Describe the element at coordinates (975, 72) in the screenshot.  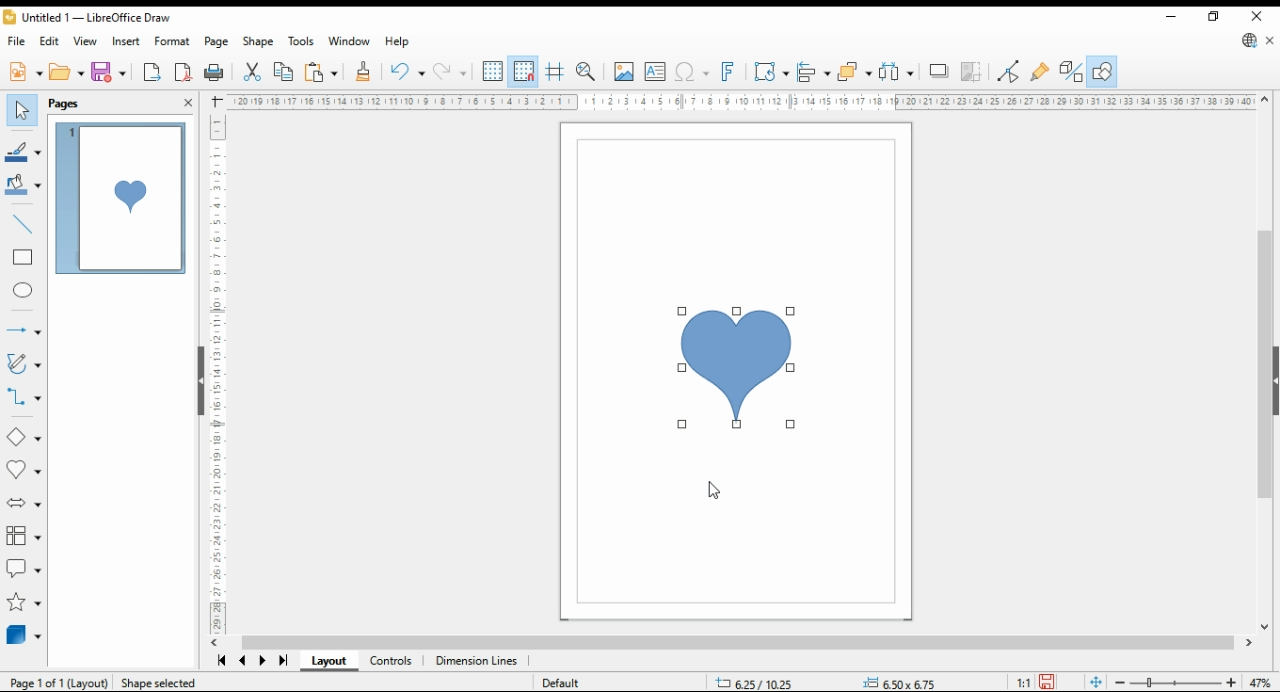
I see `crop` at that location.